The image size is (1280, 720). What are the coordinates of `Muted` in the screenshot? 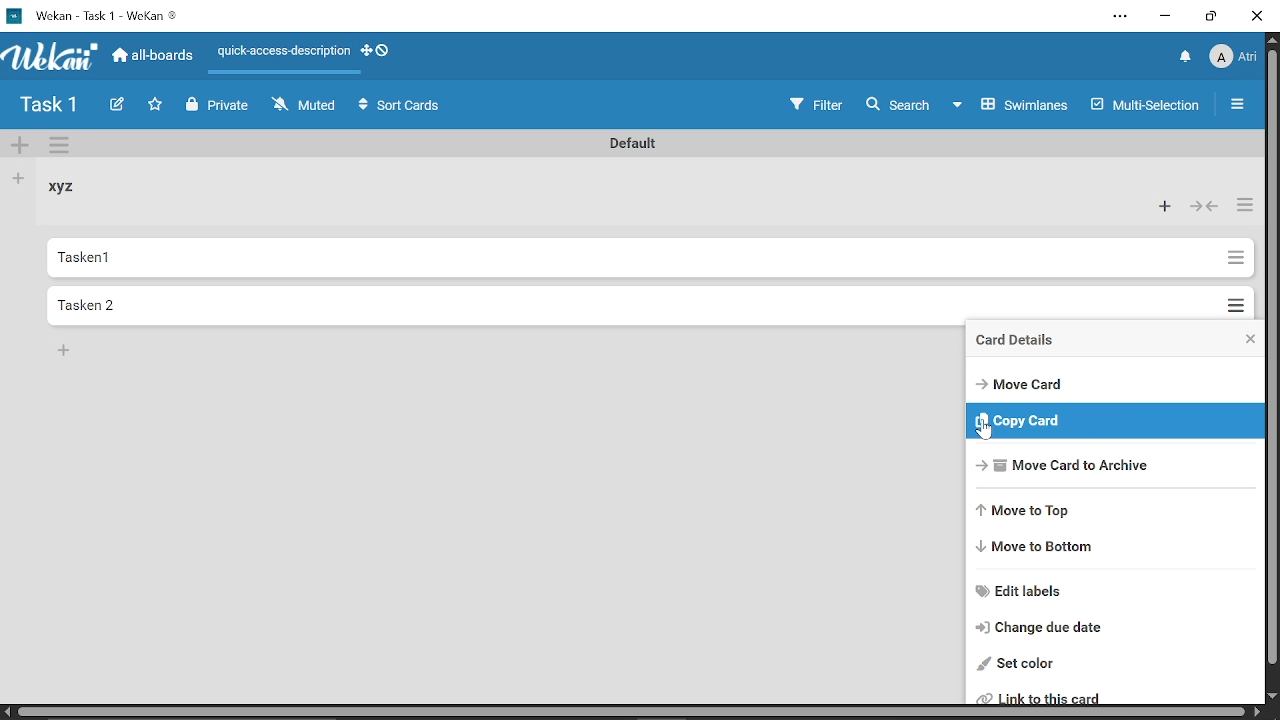 It's located at (306, 107).